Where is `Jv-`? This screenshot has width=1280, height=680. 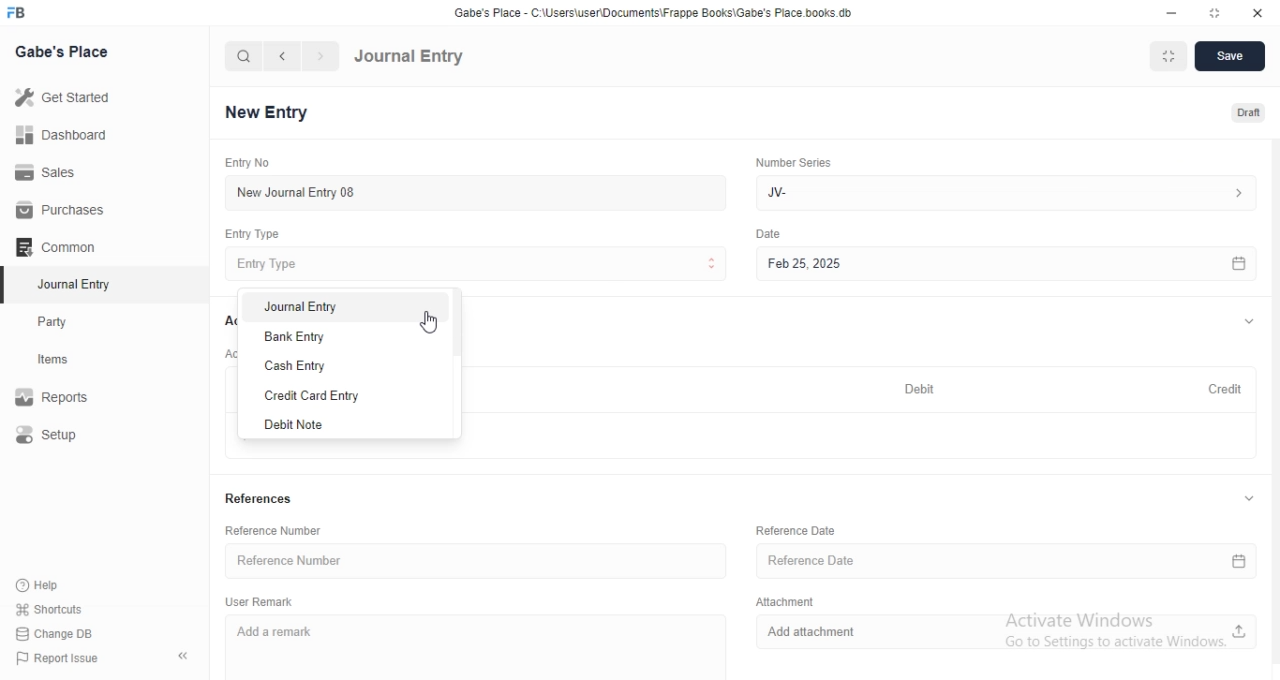
Jv- is located at coordinates (1010, 191).